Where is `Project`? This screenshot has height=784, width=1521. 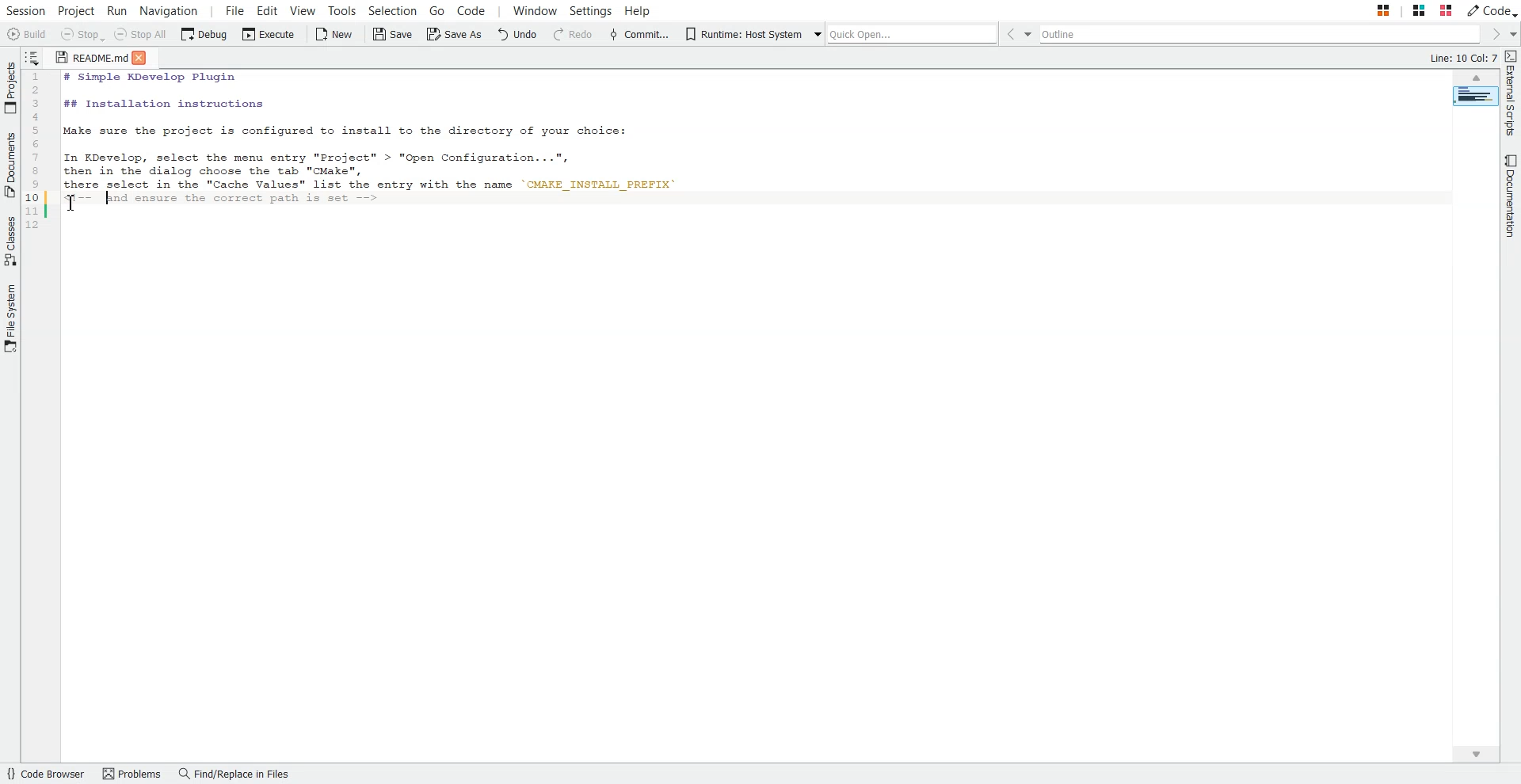 Project is located at coordinates (76, 10).